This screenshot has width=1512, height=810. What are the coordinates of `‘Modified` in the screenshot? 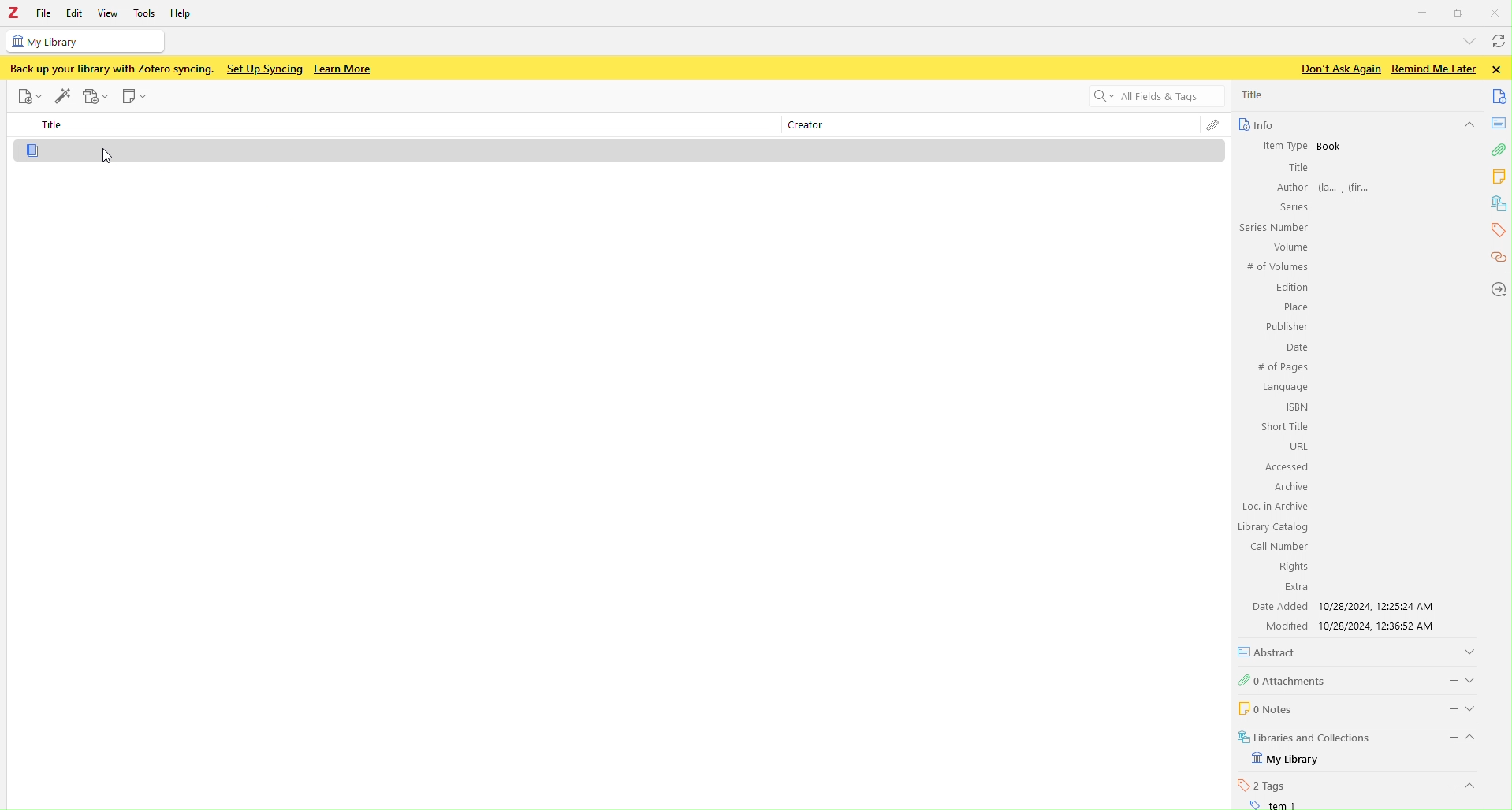 It's located at (1280, 626).